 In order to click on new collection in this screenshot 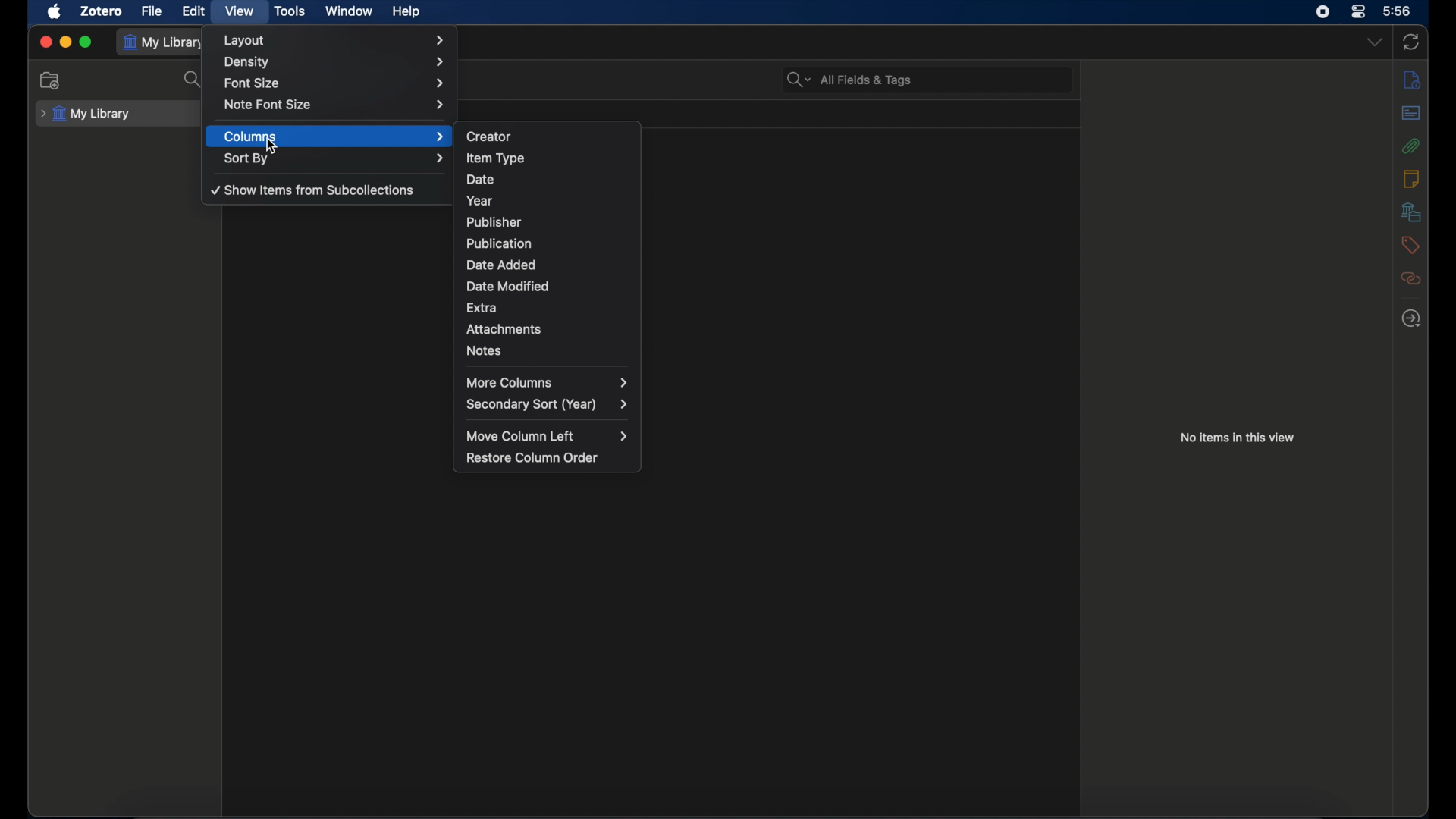, I will do `click(51, 80)`.